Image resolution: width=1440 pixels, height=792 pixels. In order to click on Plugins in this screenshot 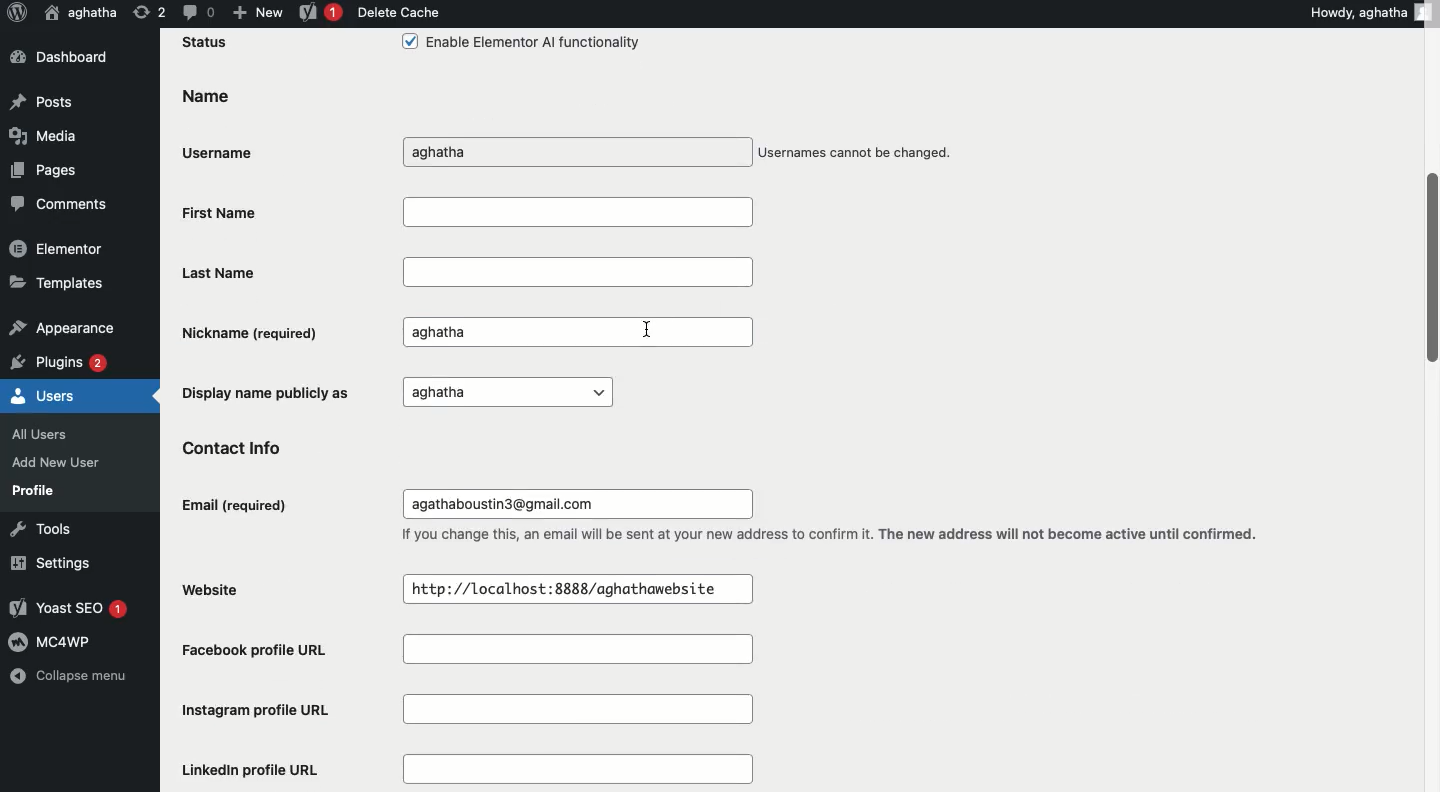, I will do `click(61, 360)`.